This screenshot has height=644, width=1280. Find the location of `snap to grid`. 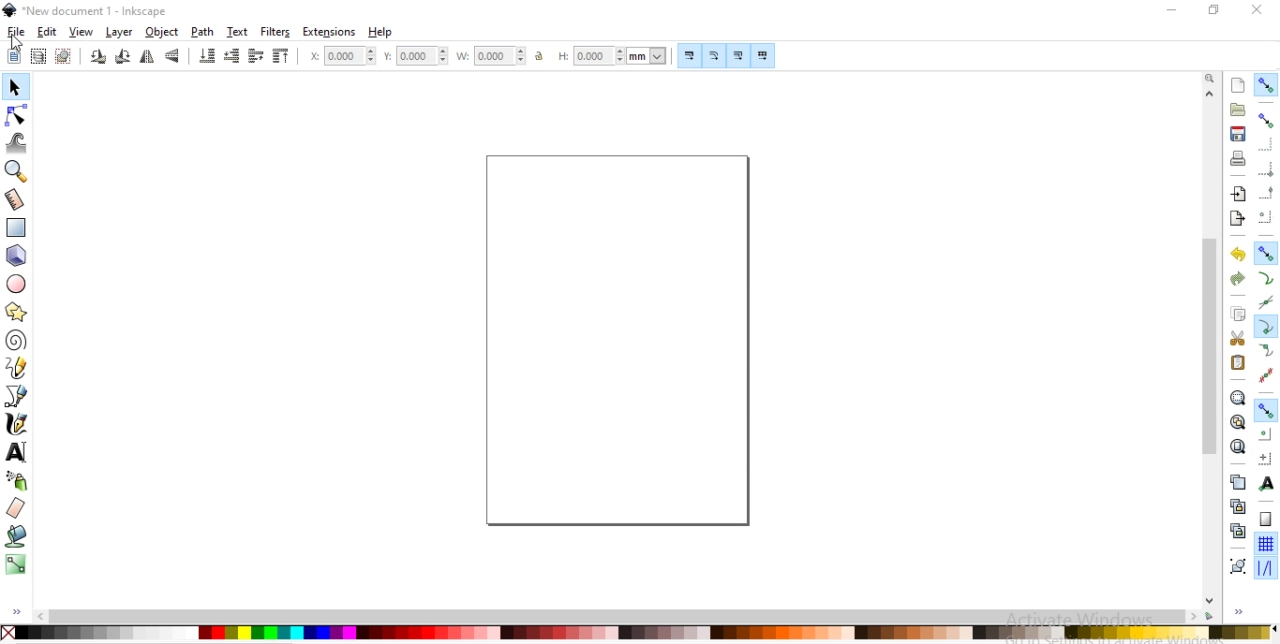

snap to grid is located at coordinates (1265, 545).